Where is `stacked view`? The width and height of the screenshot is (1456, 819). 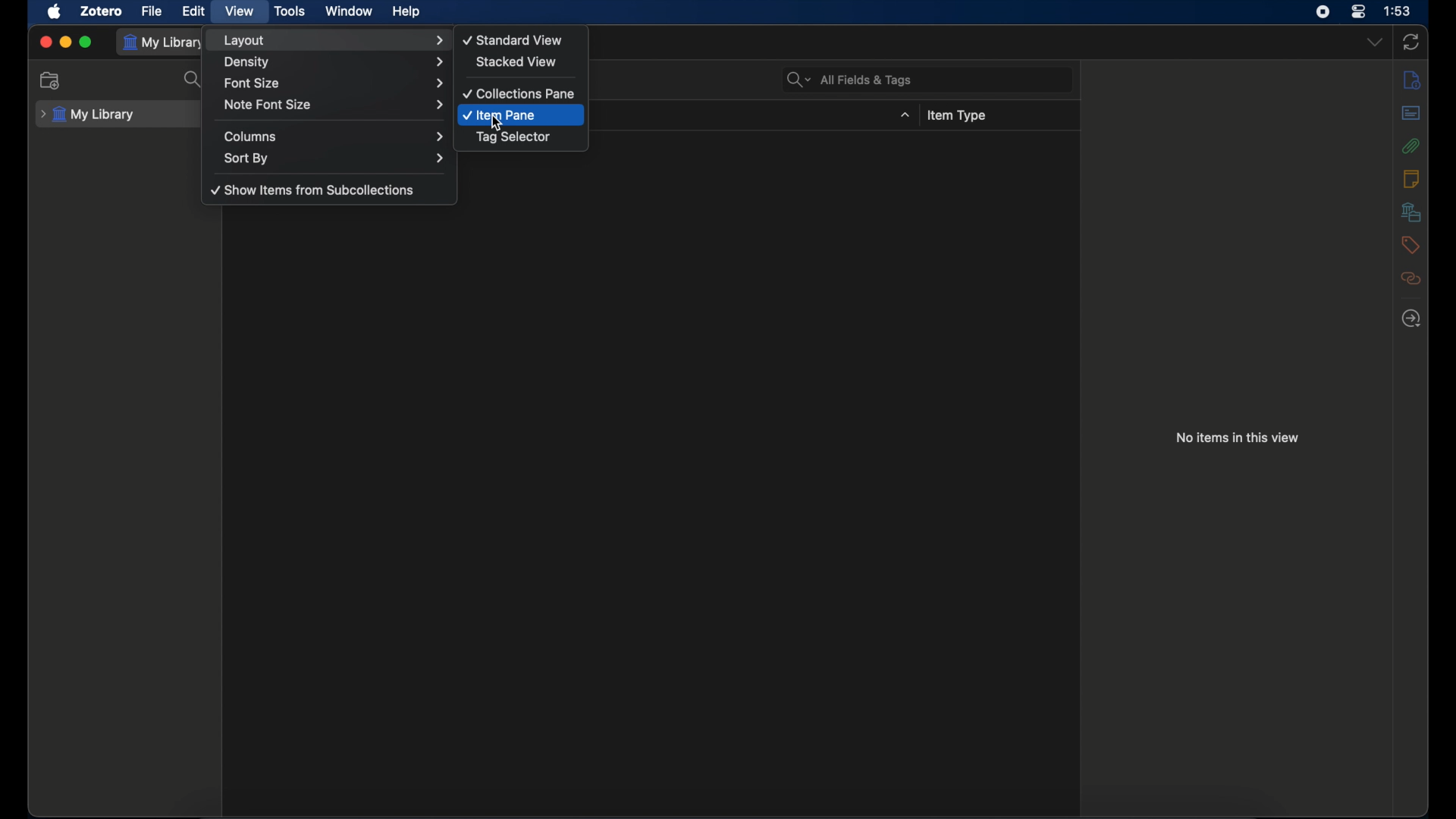 stacked view is located at coordinates (516, 61).